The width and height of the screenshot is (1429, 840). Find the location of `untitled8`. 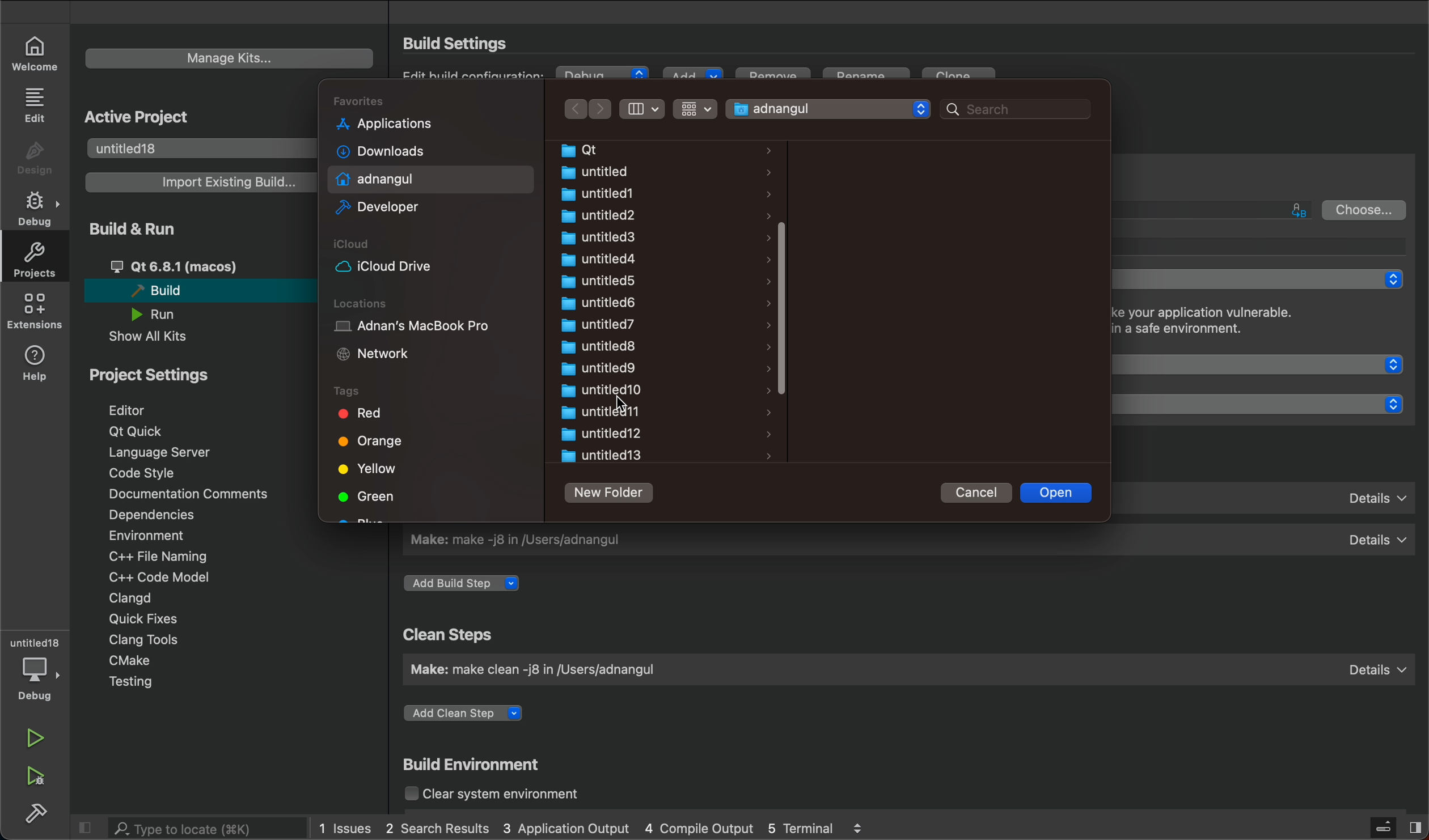

untitled8 is located at coordinates (658, 346).